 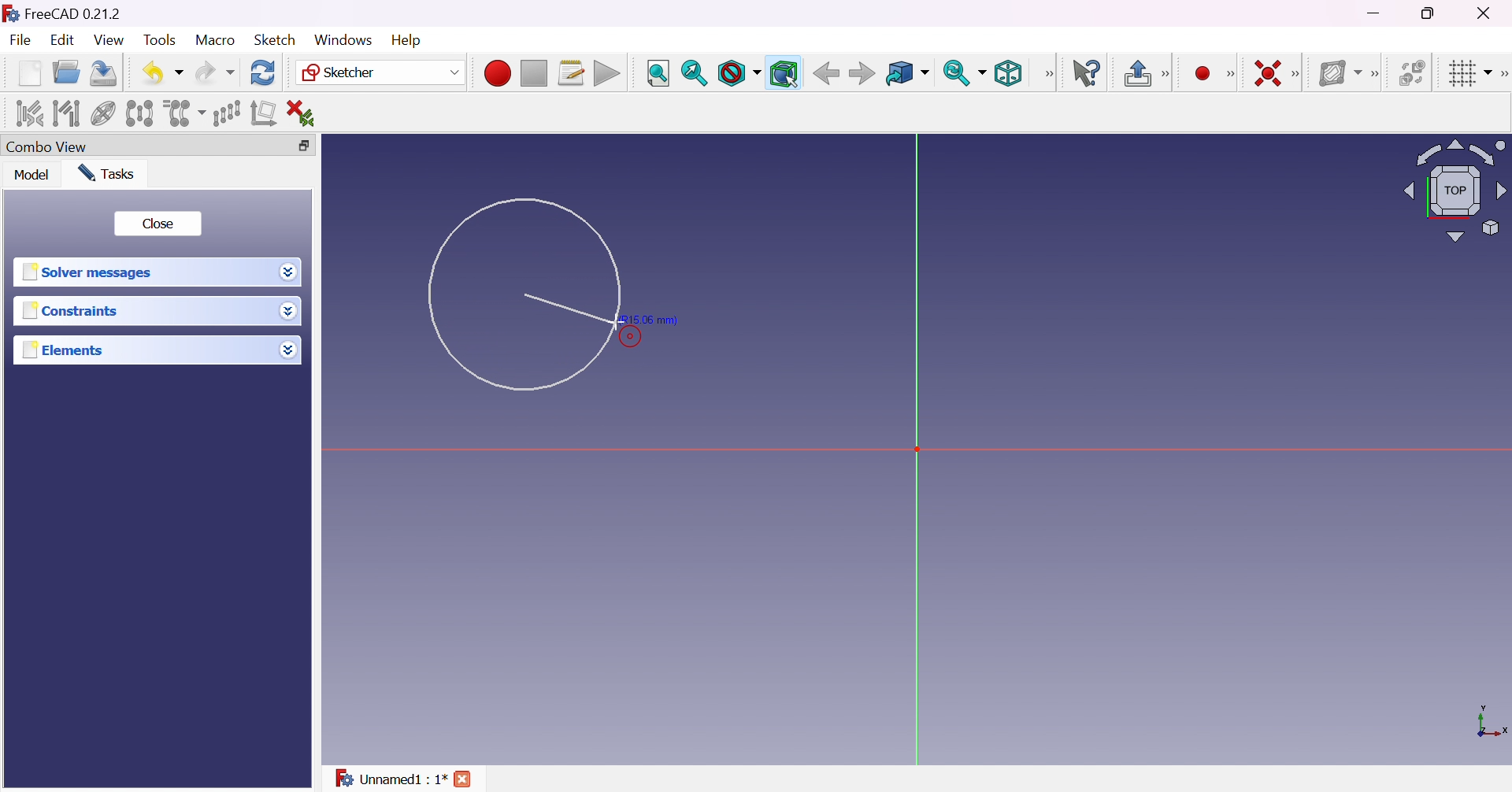 What do you see at coordinates (465, 779) in the screenshot?
I see `close` at bounding box center [465, 779].